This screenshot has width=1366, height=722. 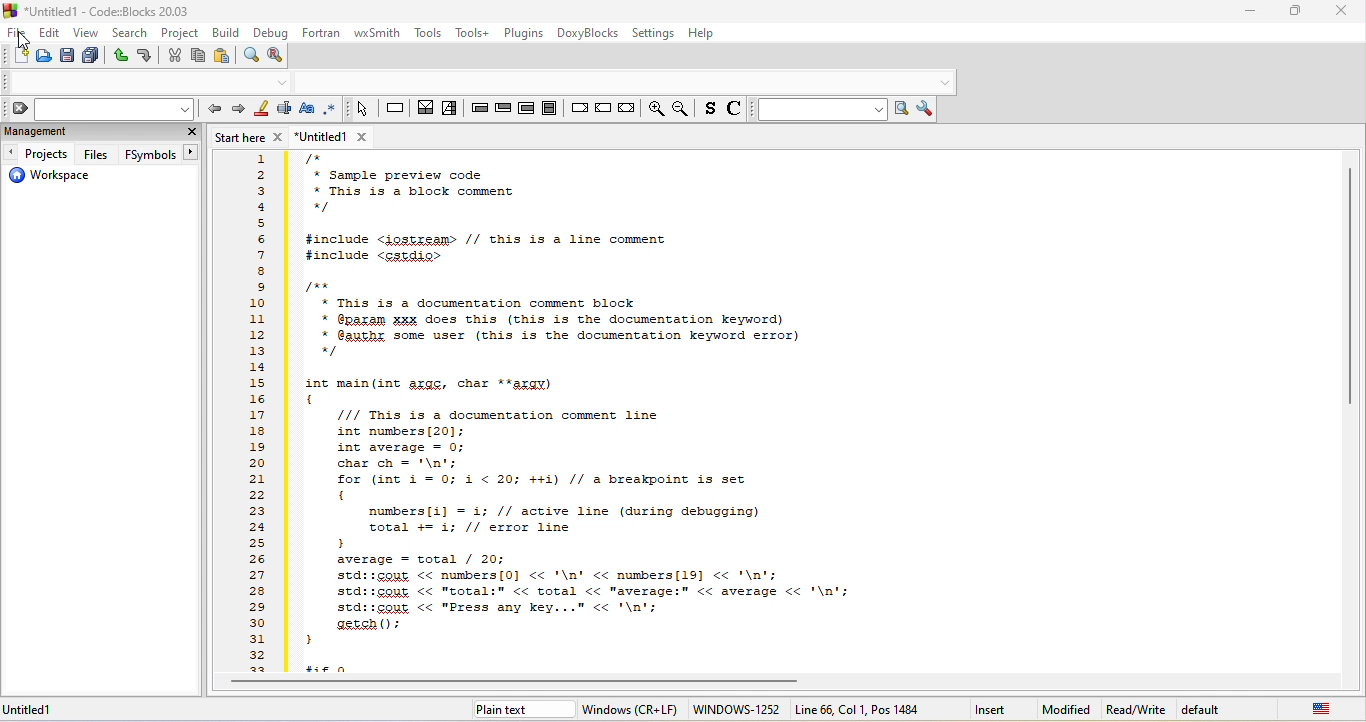 I want to click on fortran, so click(x=322, y=32).